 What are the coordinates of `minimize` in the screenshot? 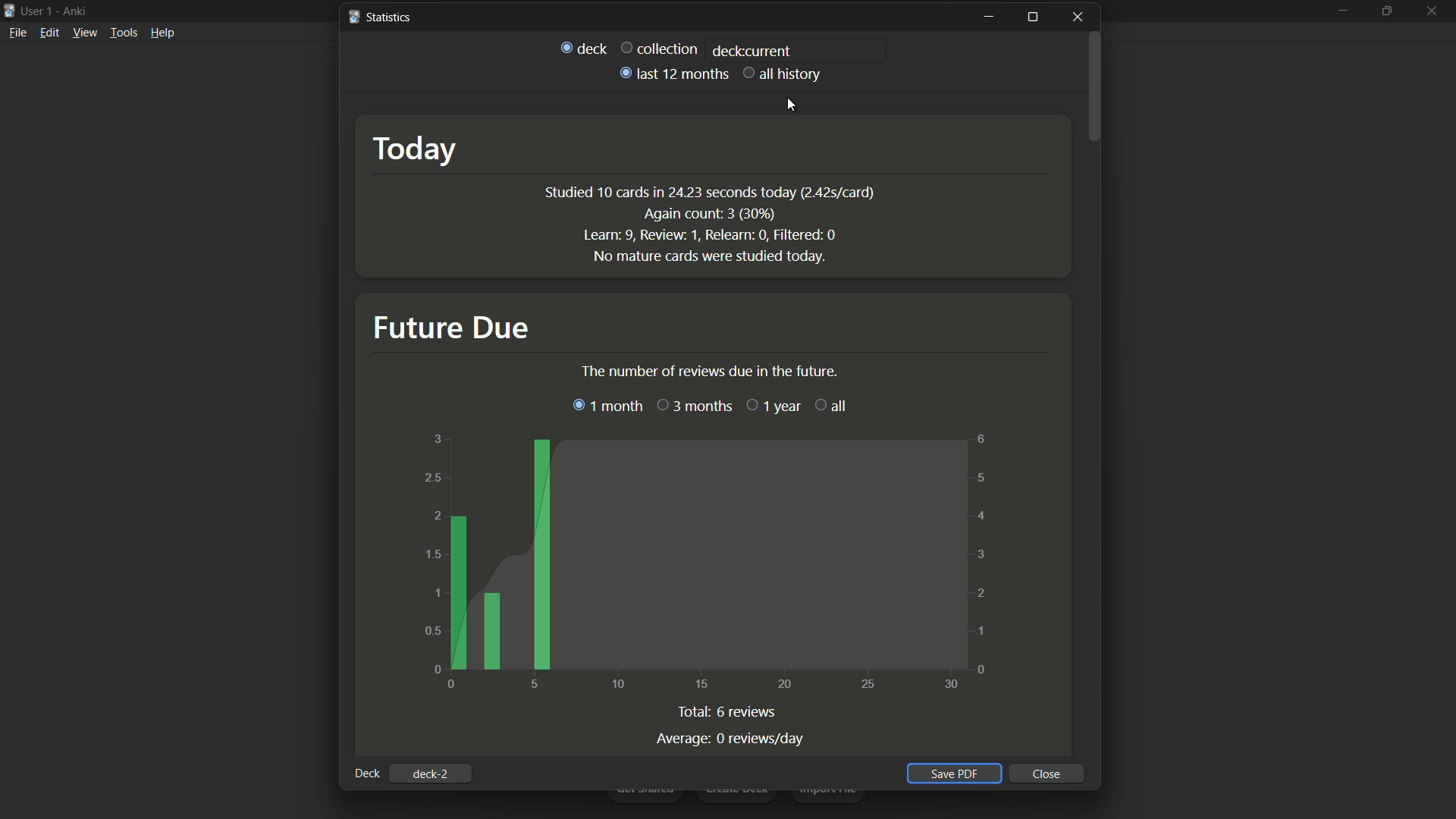 It's located at (1339, 17).